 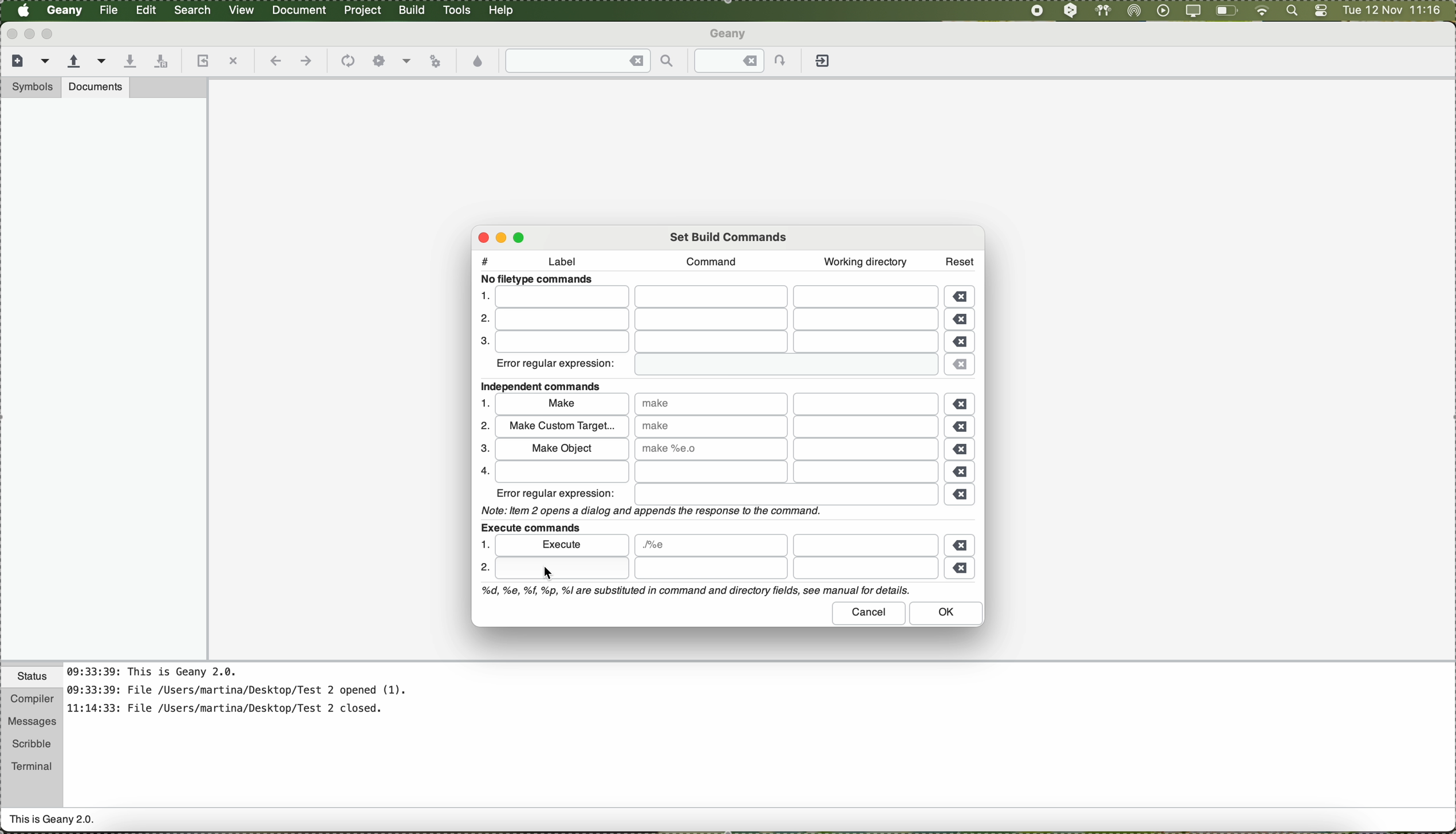 I want to click on notes, so click(x=251, y=696).